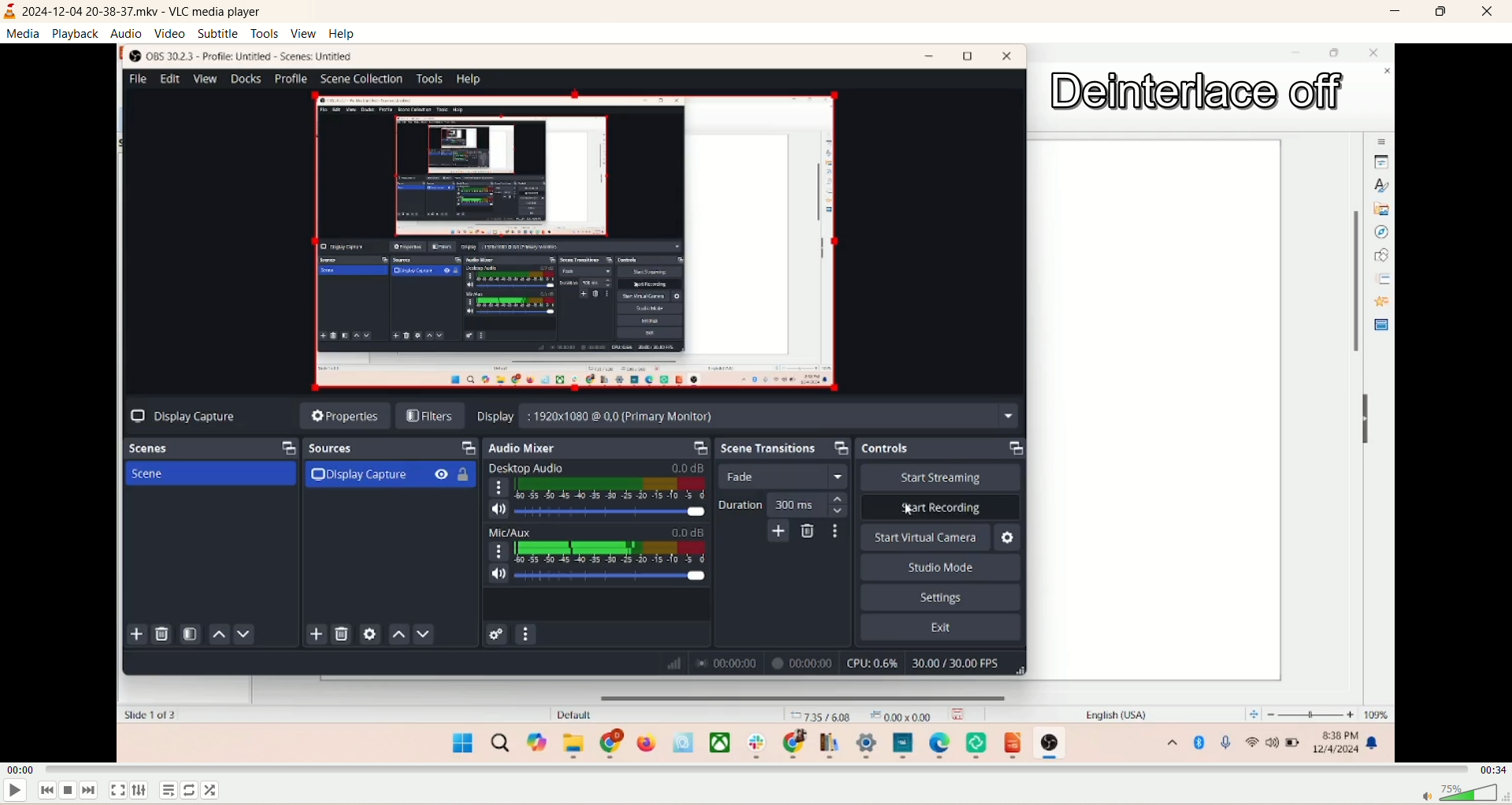  Describe the element at coordinates (9, 11) in the screenshot. I see `logo` at that location.